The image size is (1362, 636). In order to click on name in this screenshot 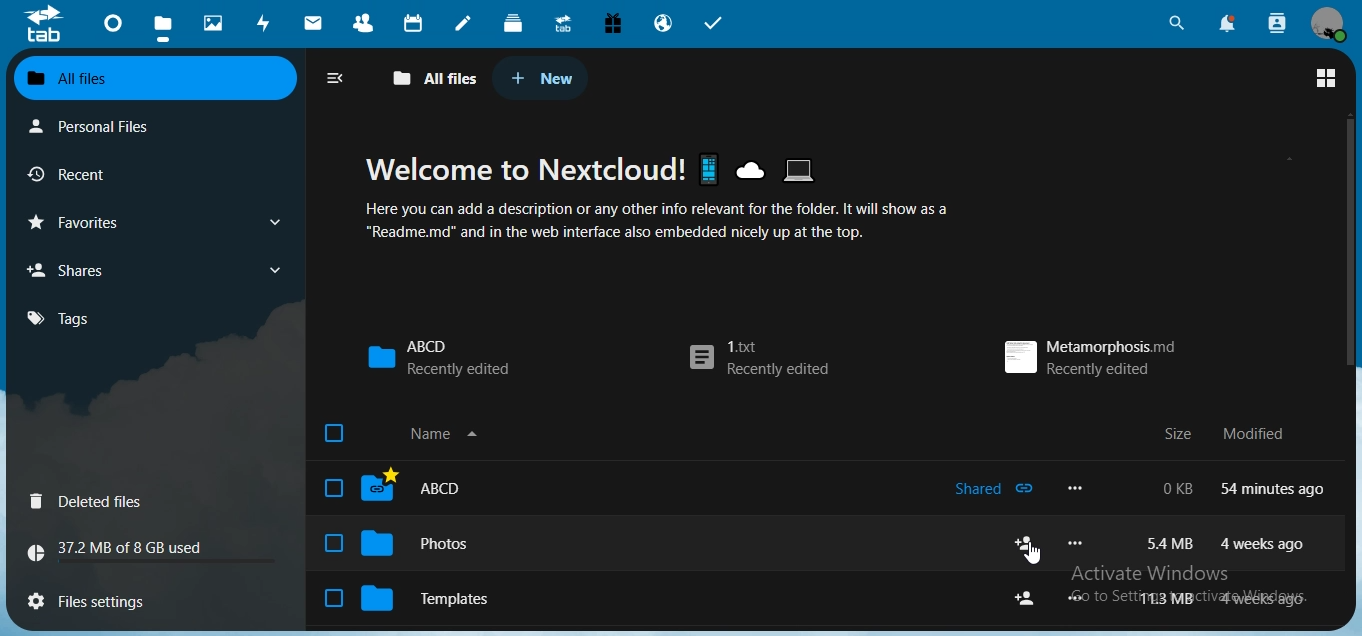, I will do `click(450, 436)`.